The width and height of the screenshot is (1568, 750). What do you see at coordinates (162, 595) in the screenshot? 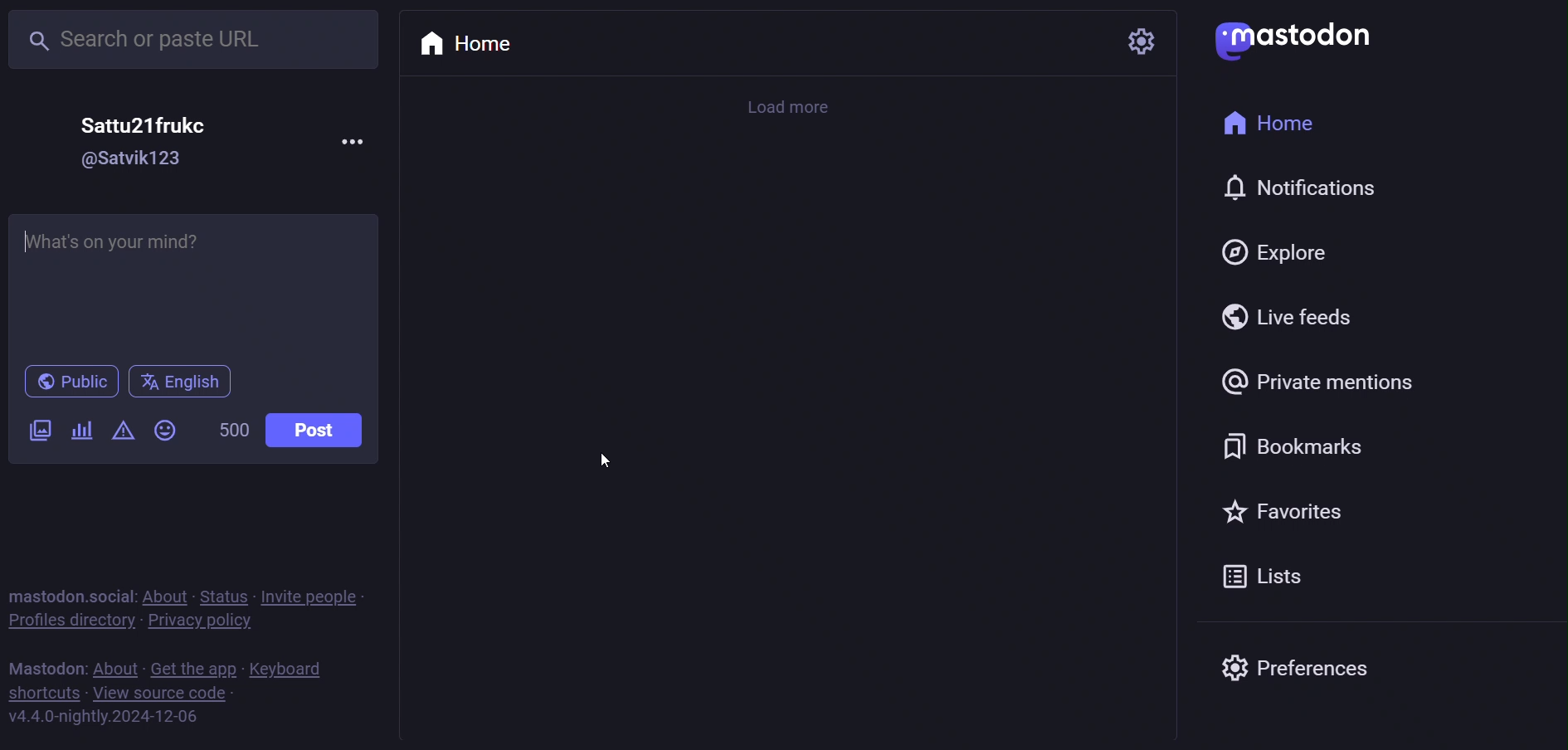
I see `about` at bounding box center [162, 595].